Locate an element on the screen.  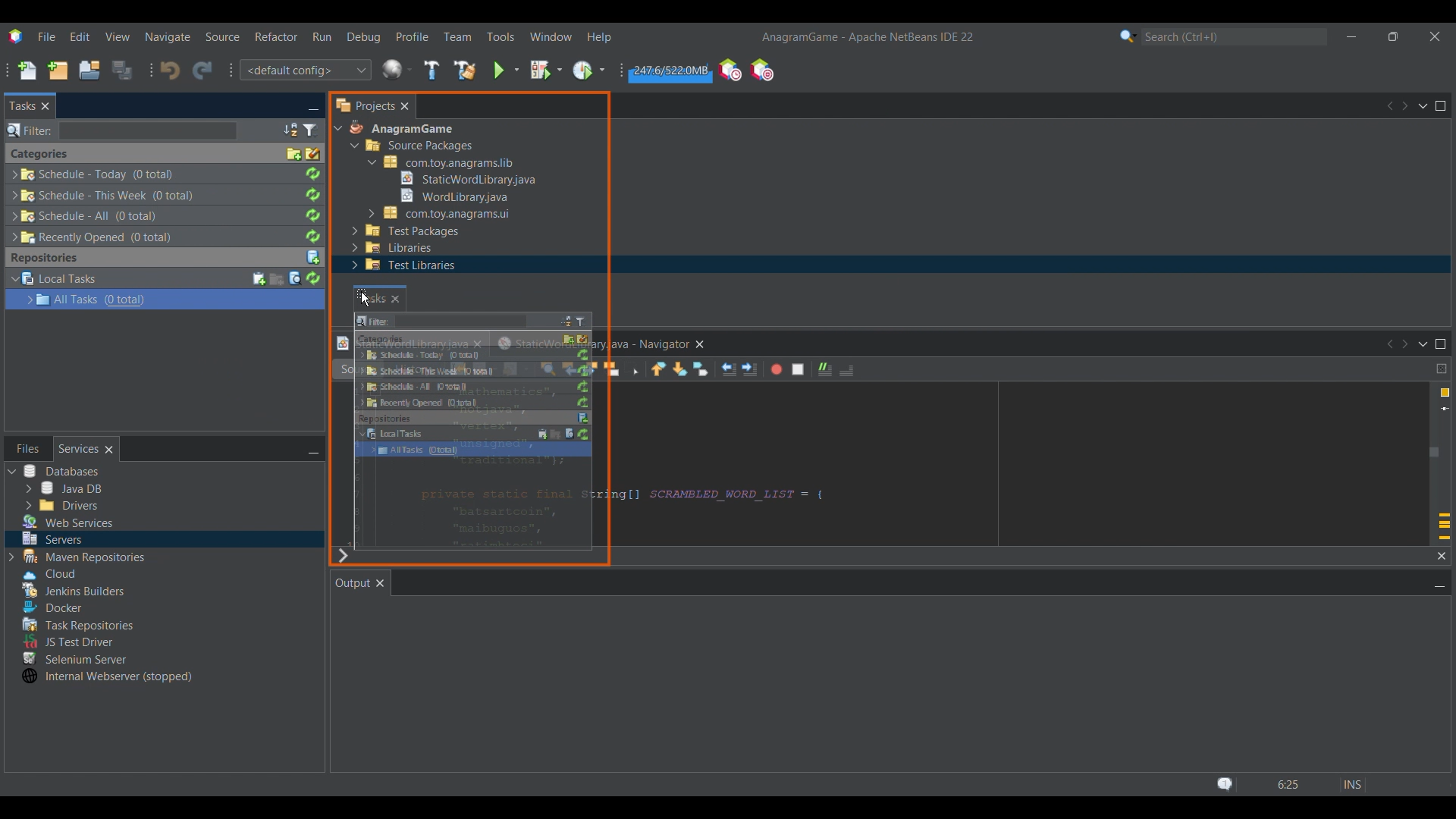
Close is located at coordinates (109, 449).